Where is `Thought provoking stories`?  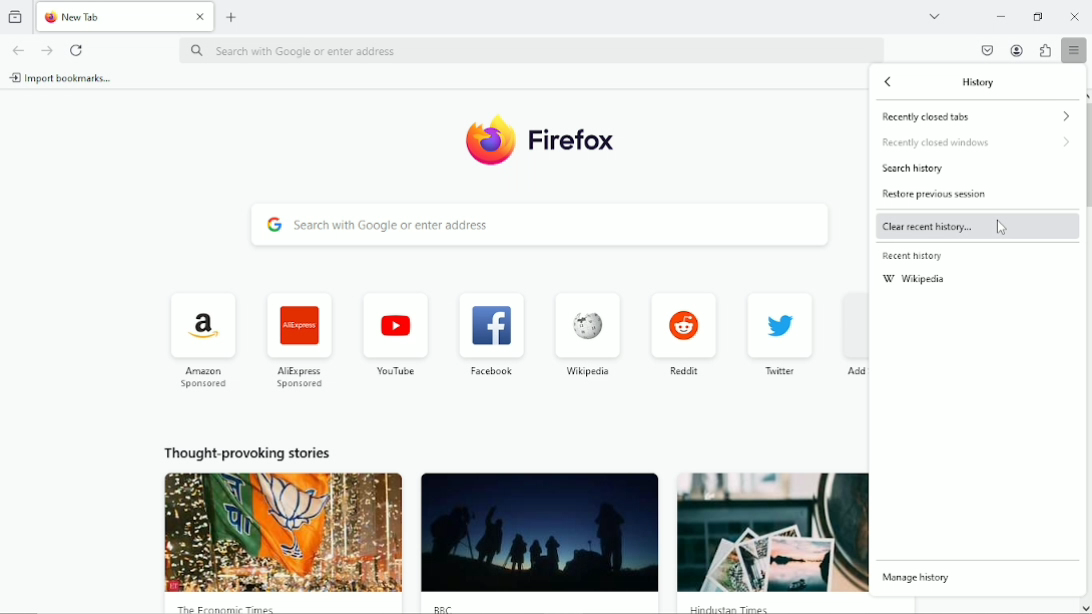 Thought provoking stories is located at coordinates (248, 451).